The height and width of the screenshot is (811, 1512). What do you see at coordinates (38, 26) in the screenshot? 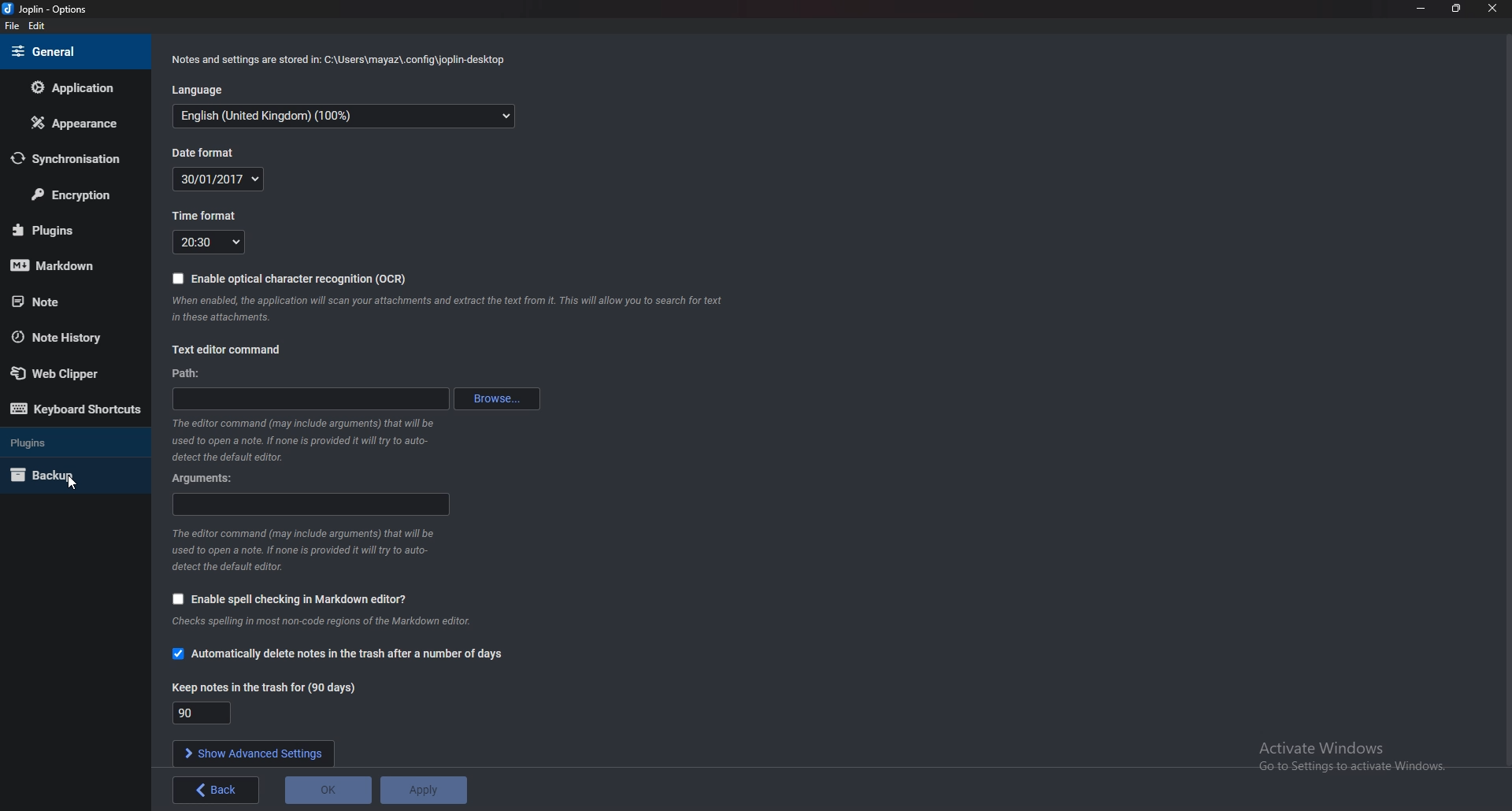
I see `edit` at bounding box center [38, 26].